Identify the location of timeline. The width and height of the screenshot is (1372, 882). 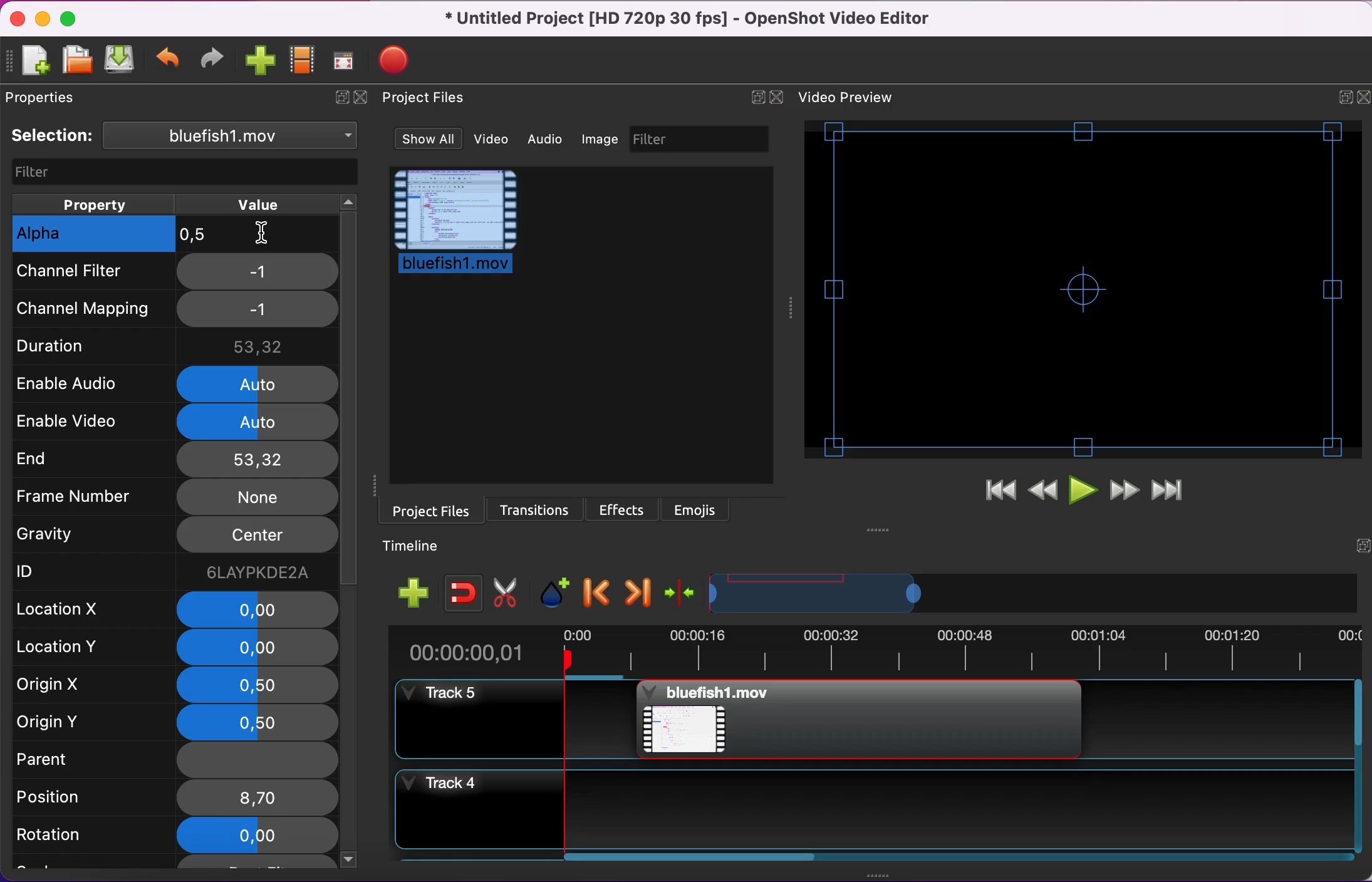
(421, 546).